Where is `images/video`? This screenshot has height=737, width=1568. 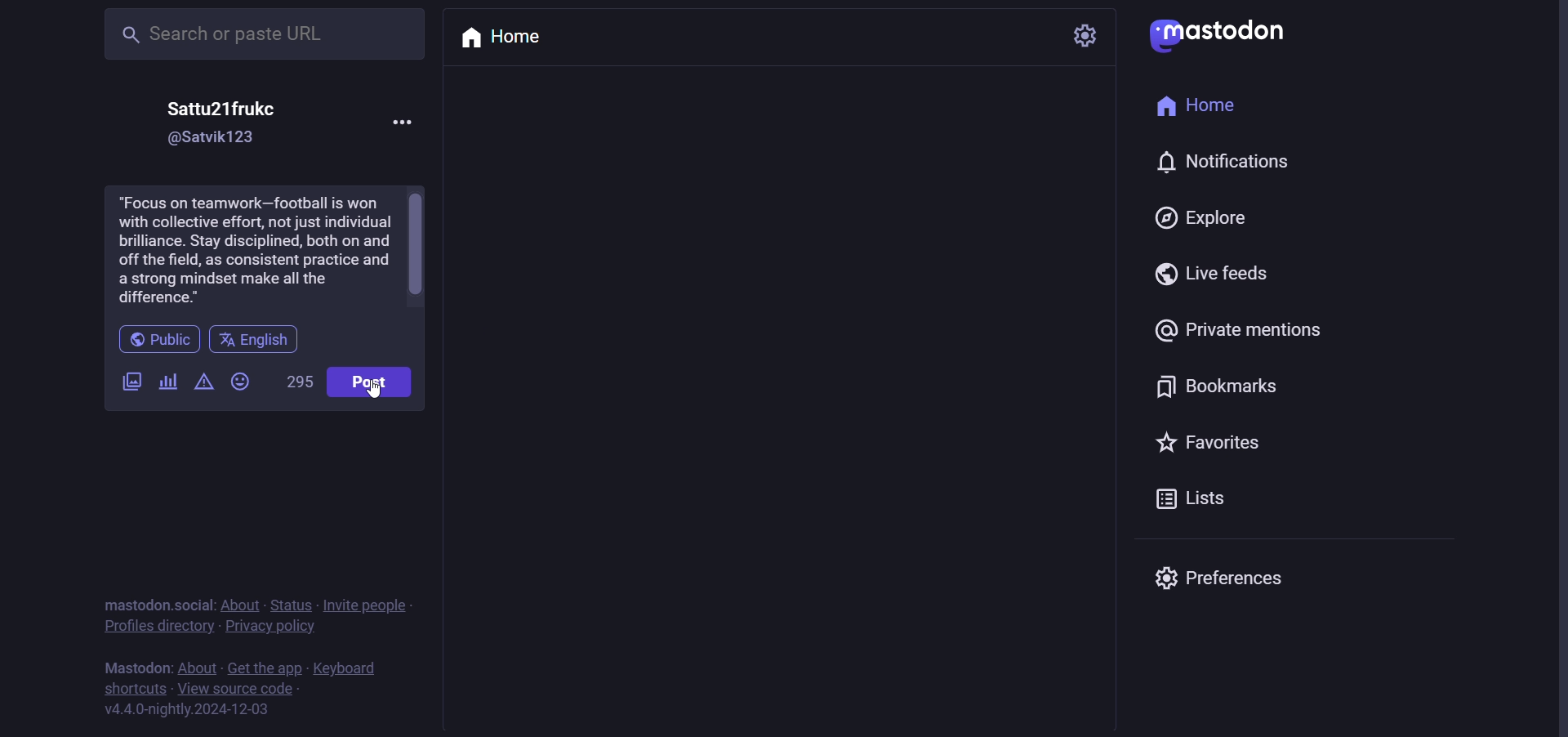
images/video is located at coordinates (123, 377).